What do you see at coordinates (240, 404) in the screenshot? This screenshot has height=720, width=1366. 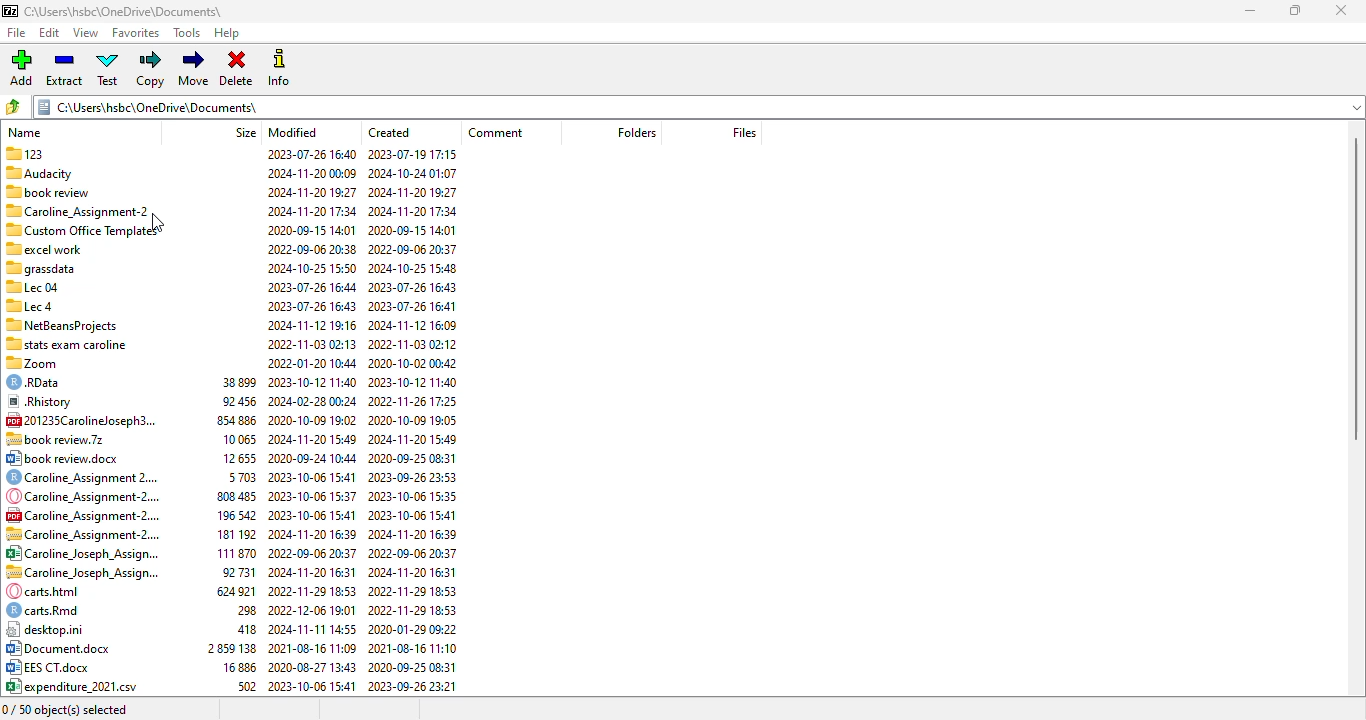 I see `92450` at bounding box center [240, 404].